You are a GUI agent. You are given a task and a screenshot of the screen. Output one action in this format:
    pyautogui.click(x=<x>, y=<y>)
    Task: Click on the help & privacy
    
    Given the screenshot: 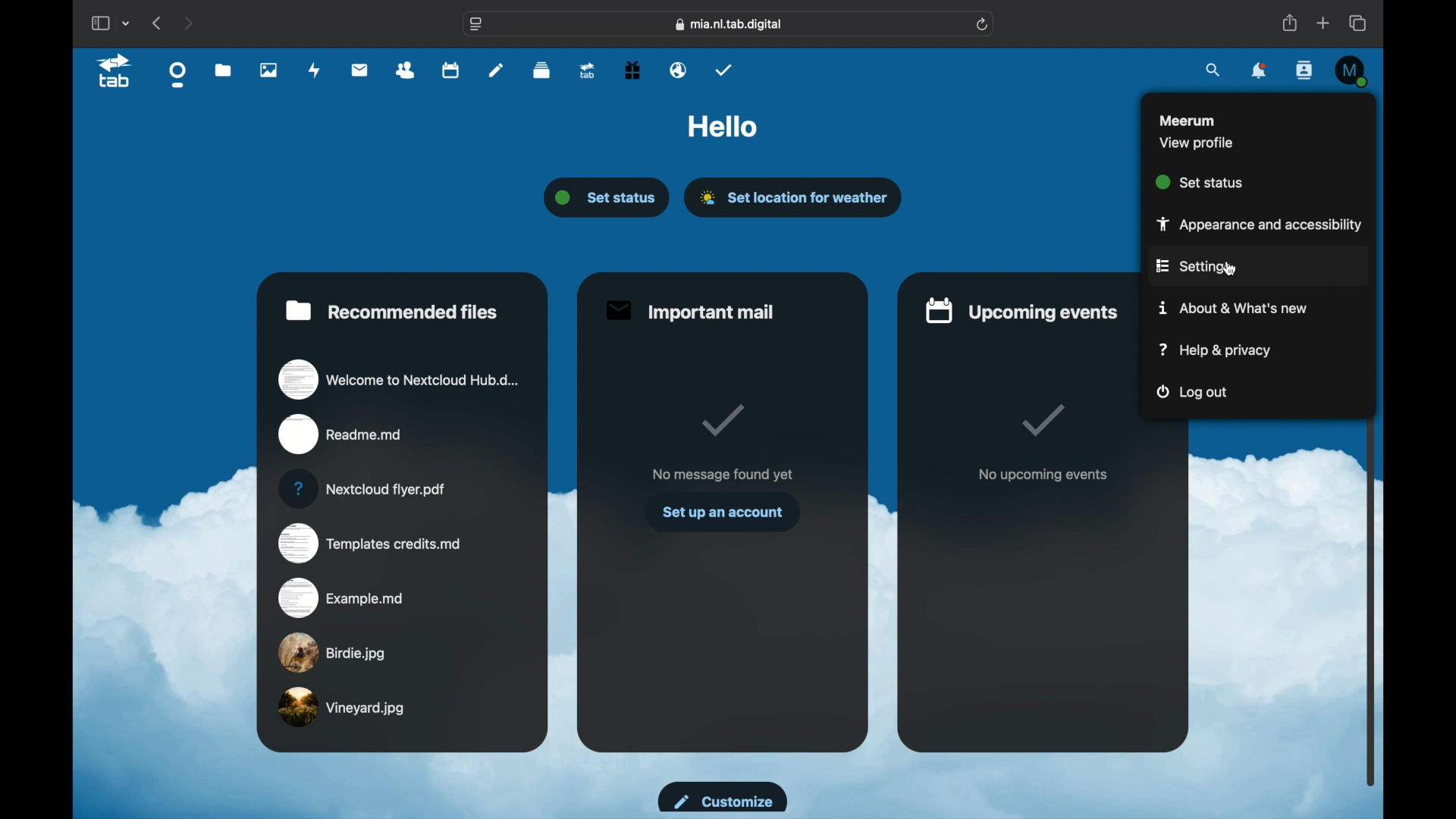 What is the action you would take?
    pyautogui.click(x=1215, y=350)
    